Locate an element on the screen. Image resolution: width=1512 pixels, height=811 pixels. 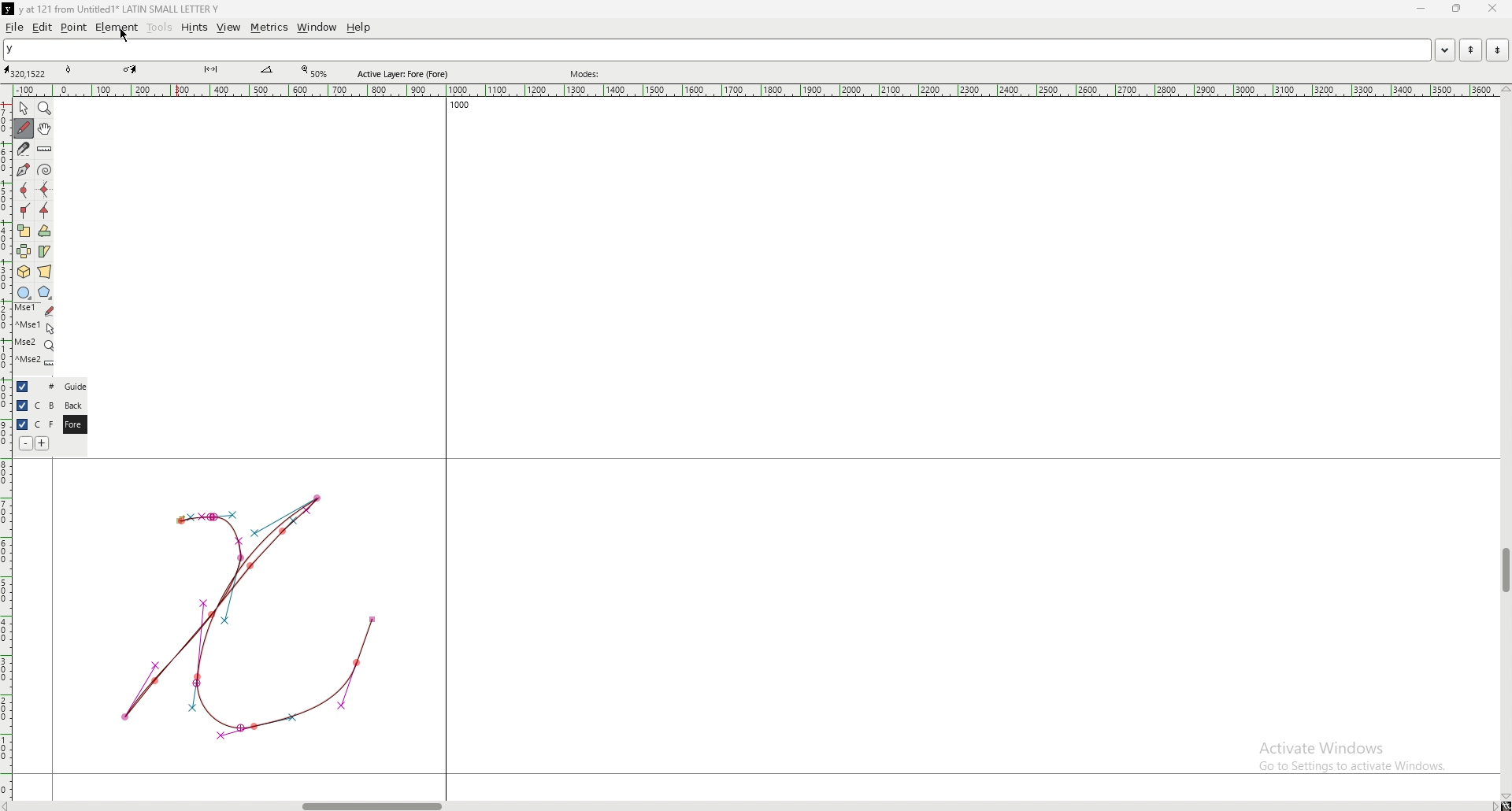
rotate the selection is located at coordinates (45, 231).